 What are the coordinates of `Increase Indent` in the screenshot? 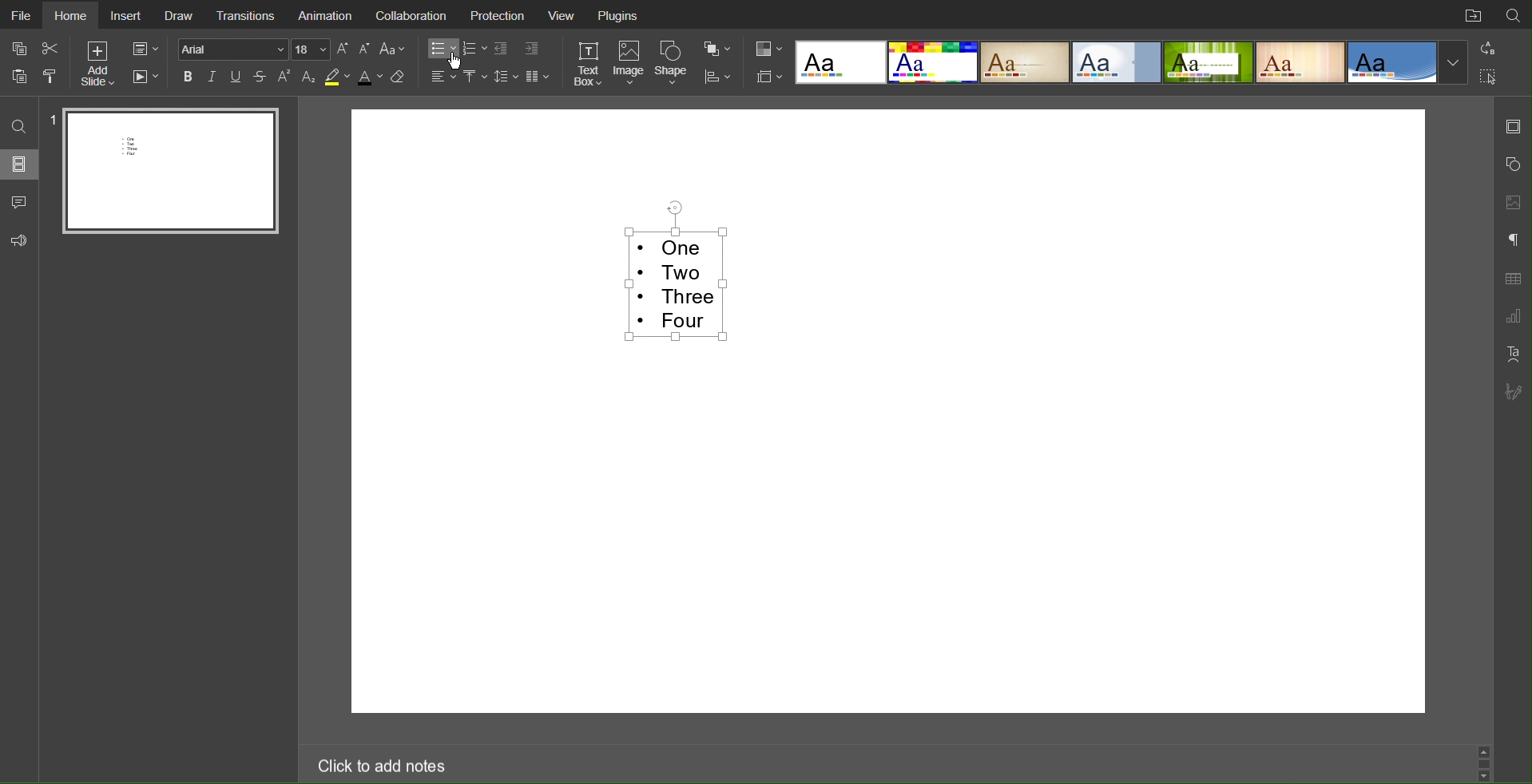 It's located at (529, 49).